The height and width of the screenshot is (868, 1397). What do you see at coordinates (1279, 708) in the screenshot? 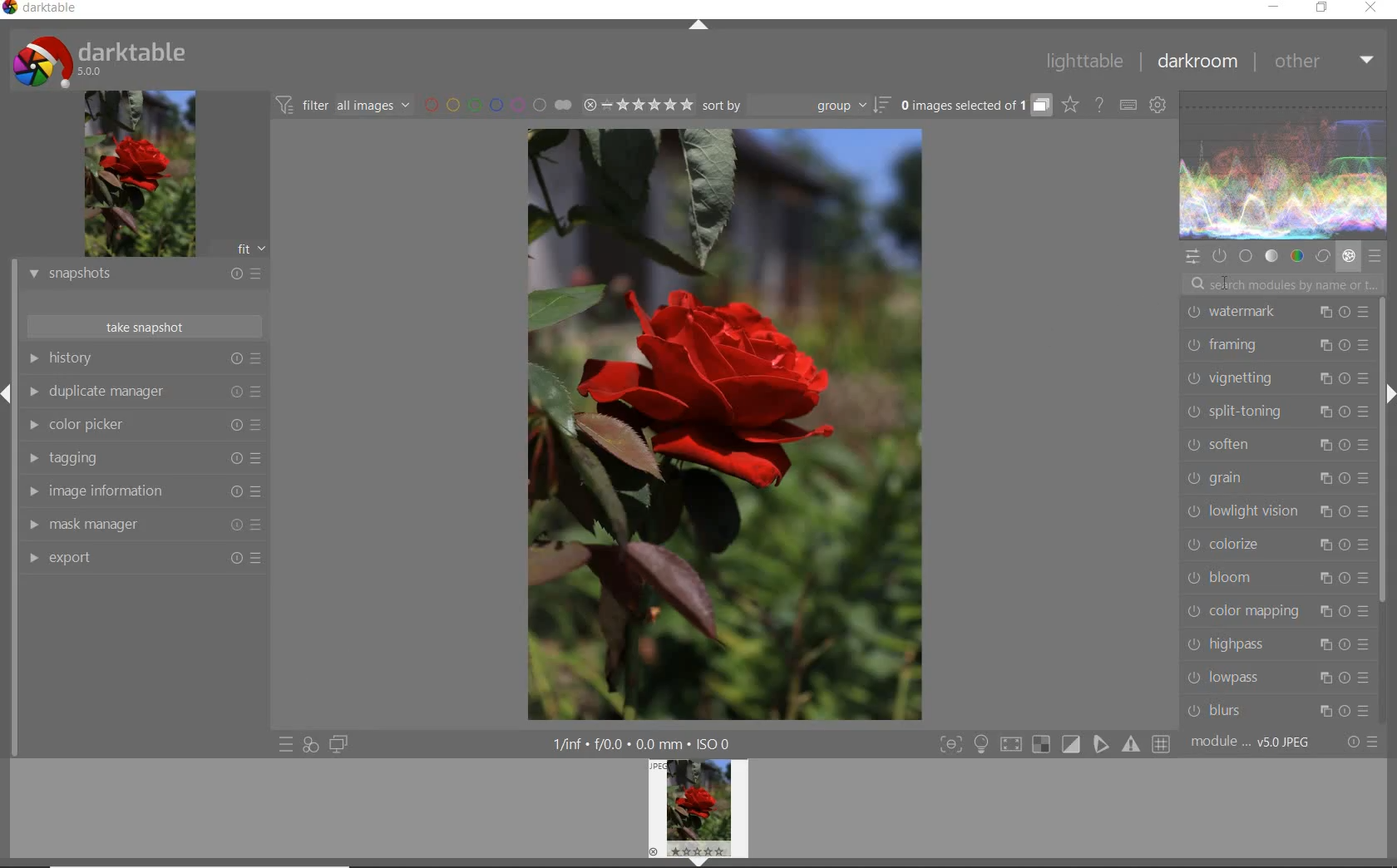
I see `blurs` at bounding box center [1279, 708].